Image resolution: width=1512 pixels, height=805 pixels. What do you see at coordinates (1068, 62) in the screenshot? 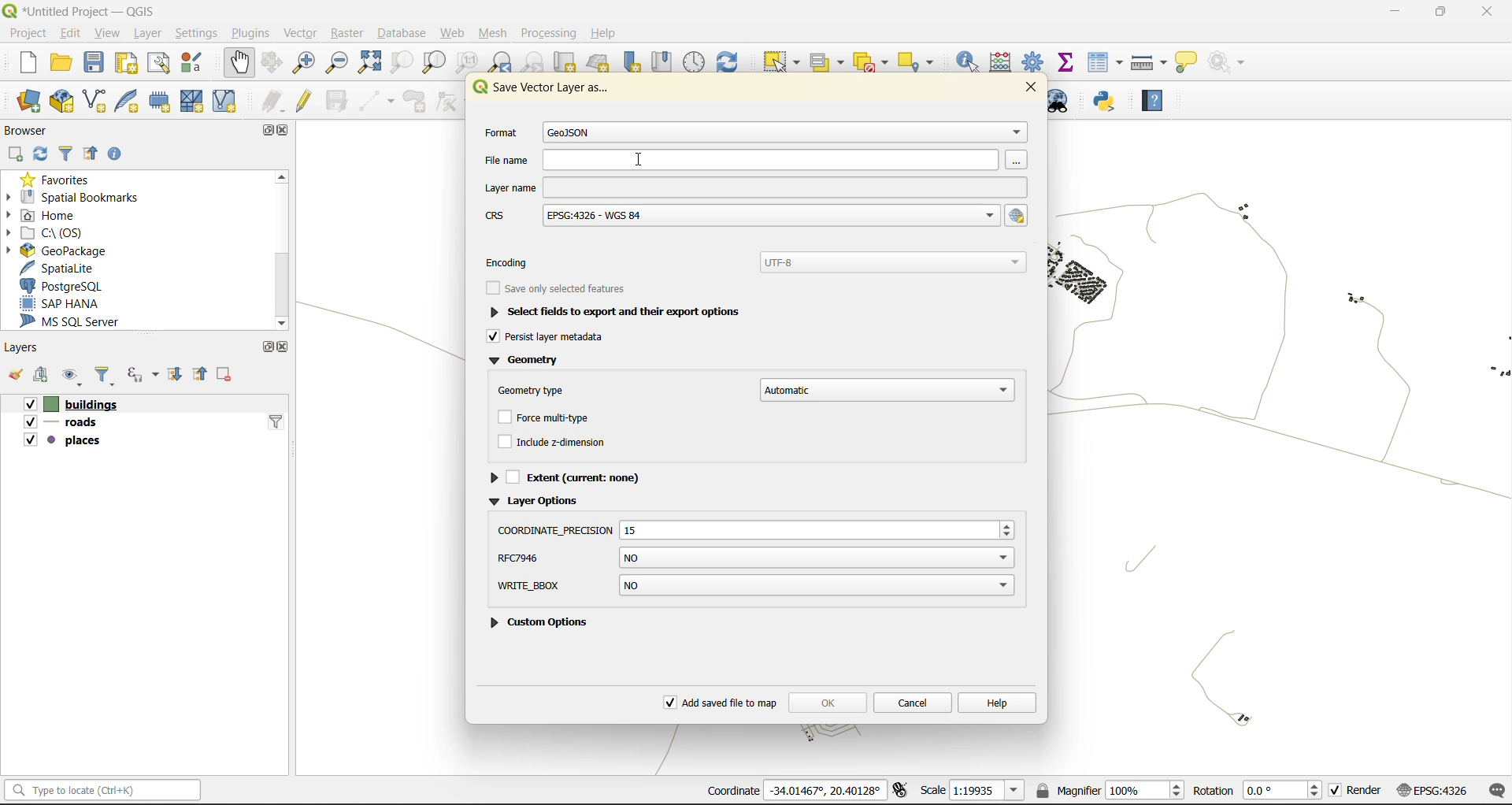
I see `statistical summary` at bounding box center [1068, 62].